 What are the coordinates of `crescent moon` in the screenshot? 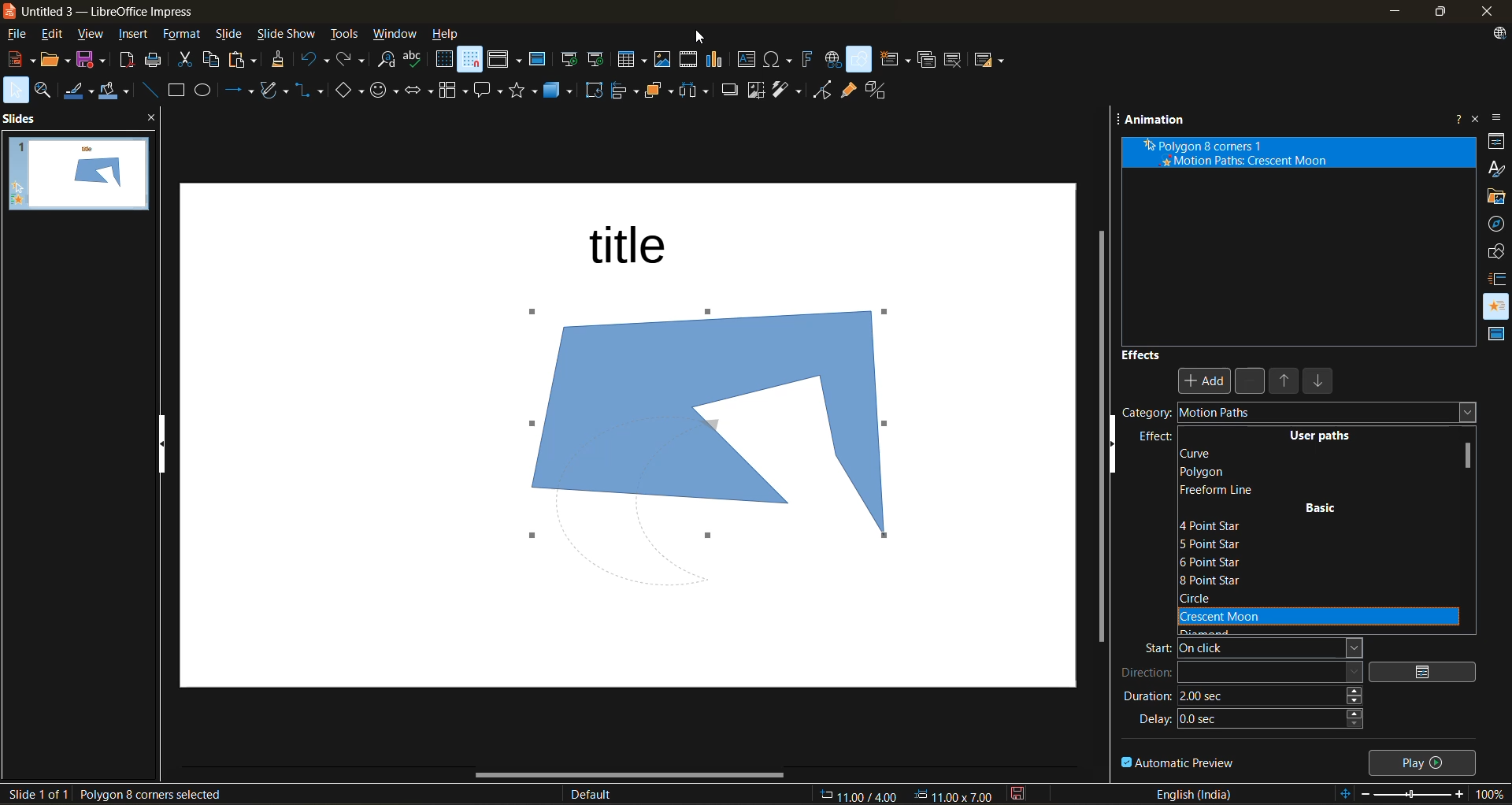 It's located at (1227, 619).